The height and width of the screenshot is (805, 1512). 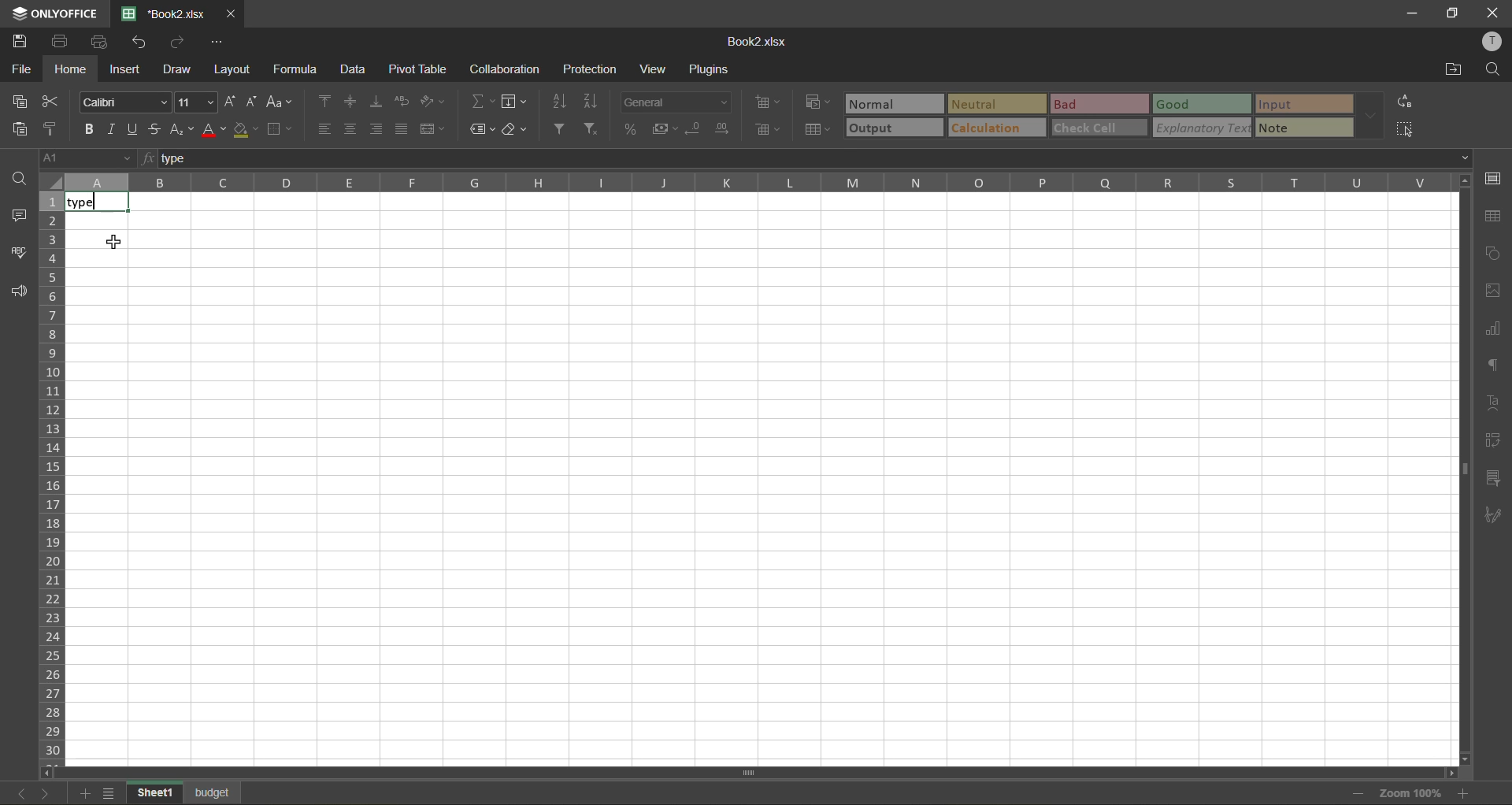 I want to click on file, so click(x=20, y=72).